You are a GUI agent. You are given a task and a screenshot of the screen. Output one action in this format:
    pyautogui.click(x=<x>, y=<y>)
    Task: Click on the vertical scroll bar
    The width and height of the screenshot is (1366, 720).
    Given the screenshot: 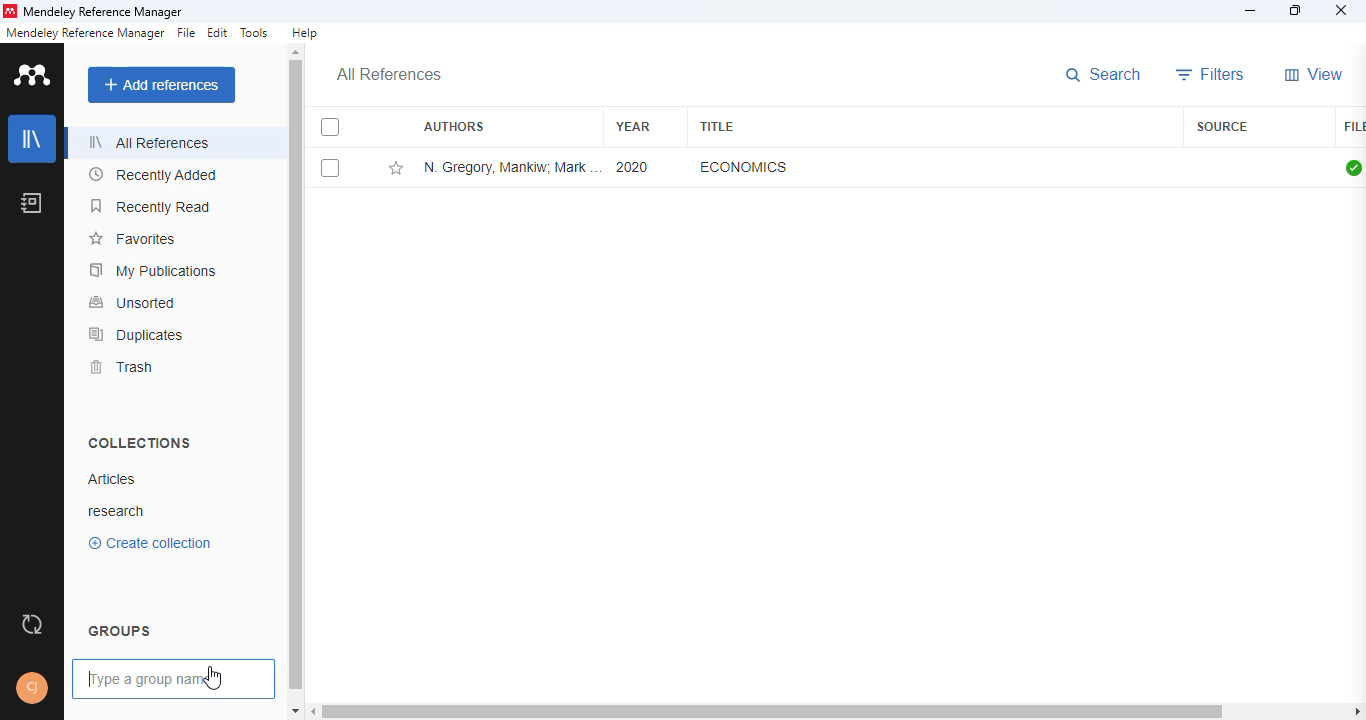 What is the action you would take?
    pyautogui.click(x=295, y=380)
    